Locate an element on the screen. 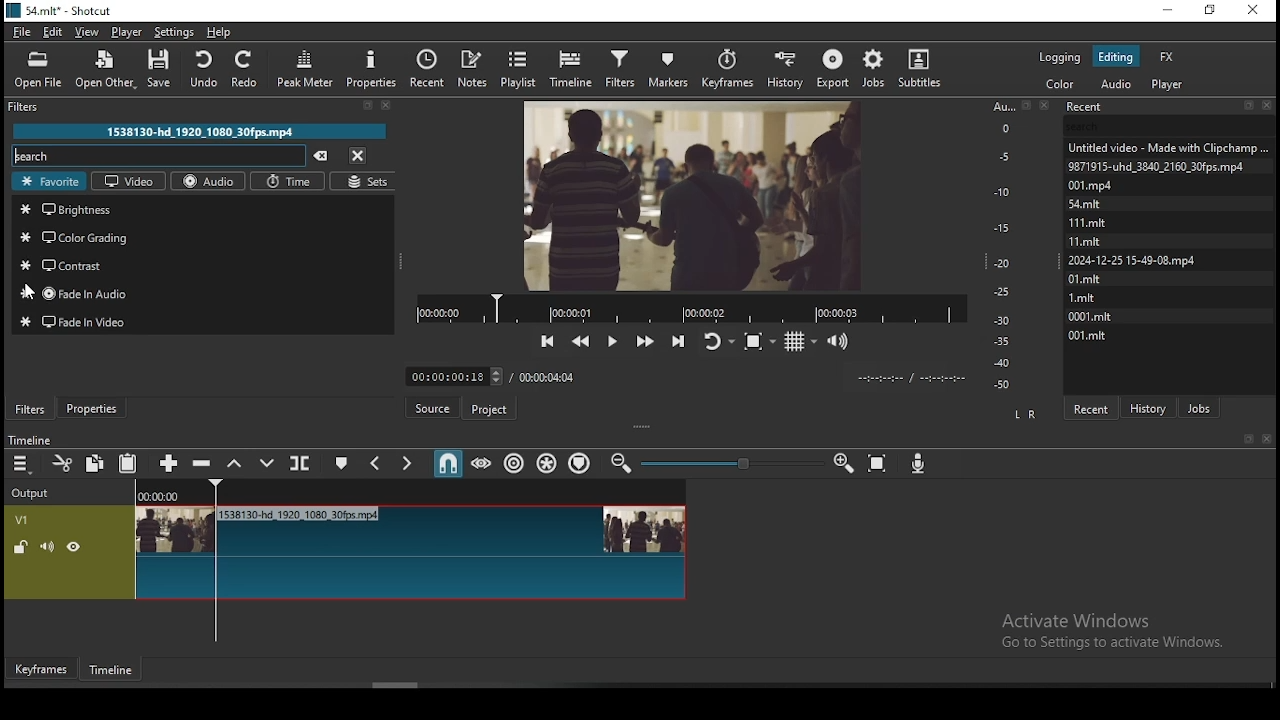  filters is located at coordinates (31, 408).